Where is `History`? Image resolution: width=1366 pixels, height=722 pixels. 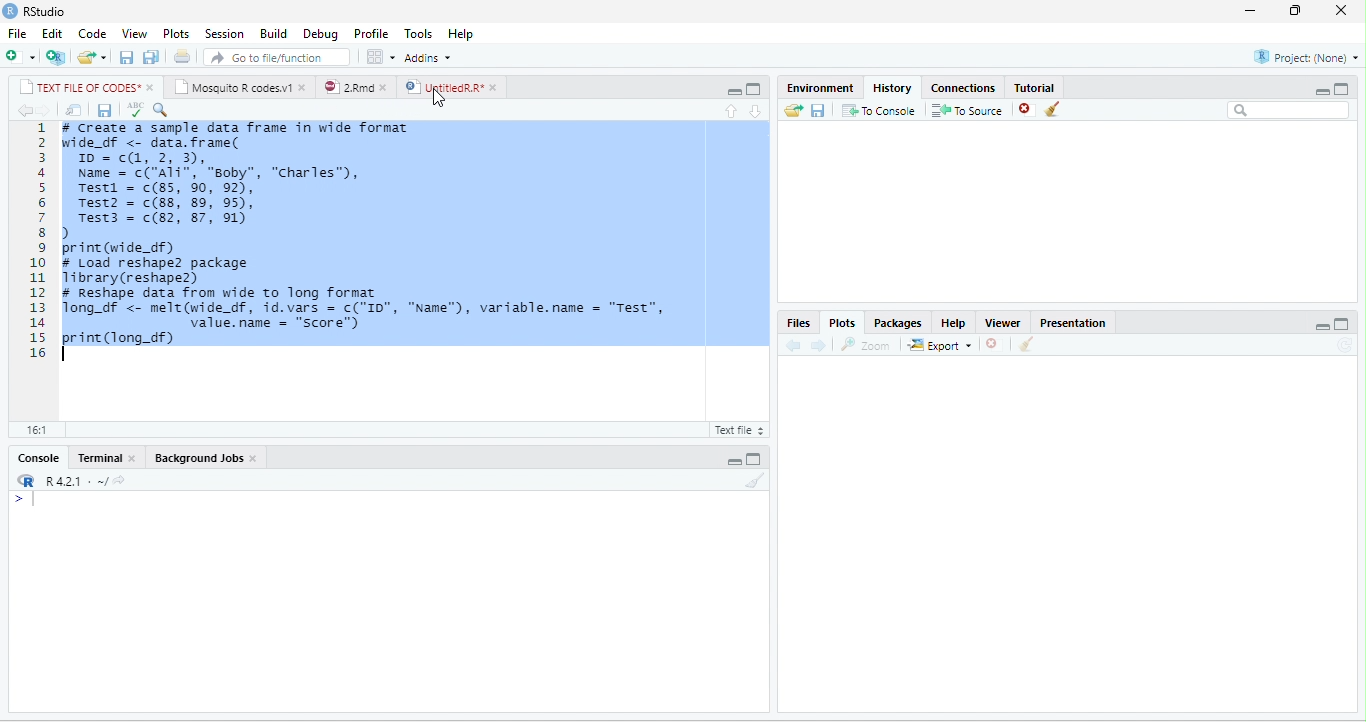
History is located at coordinates (892, 88).